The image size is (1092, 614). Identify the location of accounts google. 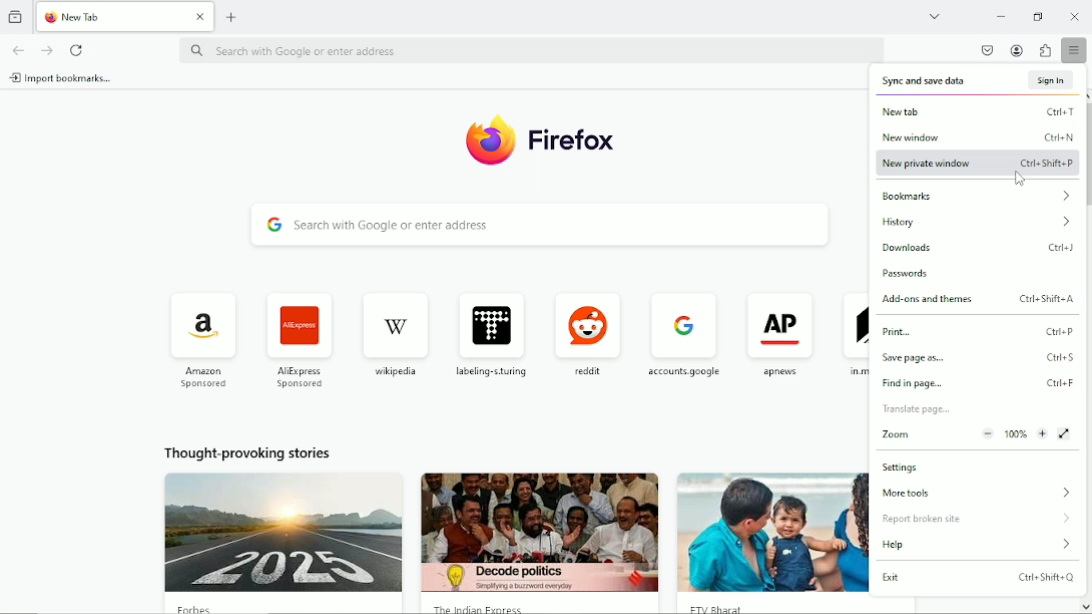
(686, 332).